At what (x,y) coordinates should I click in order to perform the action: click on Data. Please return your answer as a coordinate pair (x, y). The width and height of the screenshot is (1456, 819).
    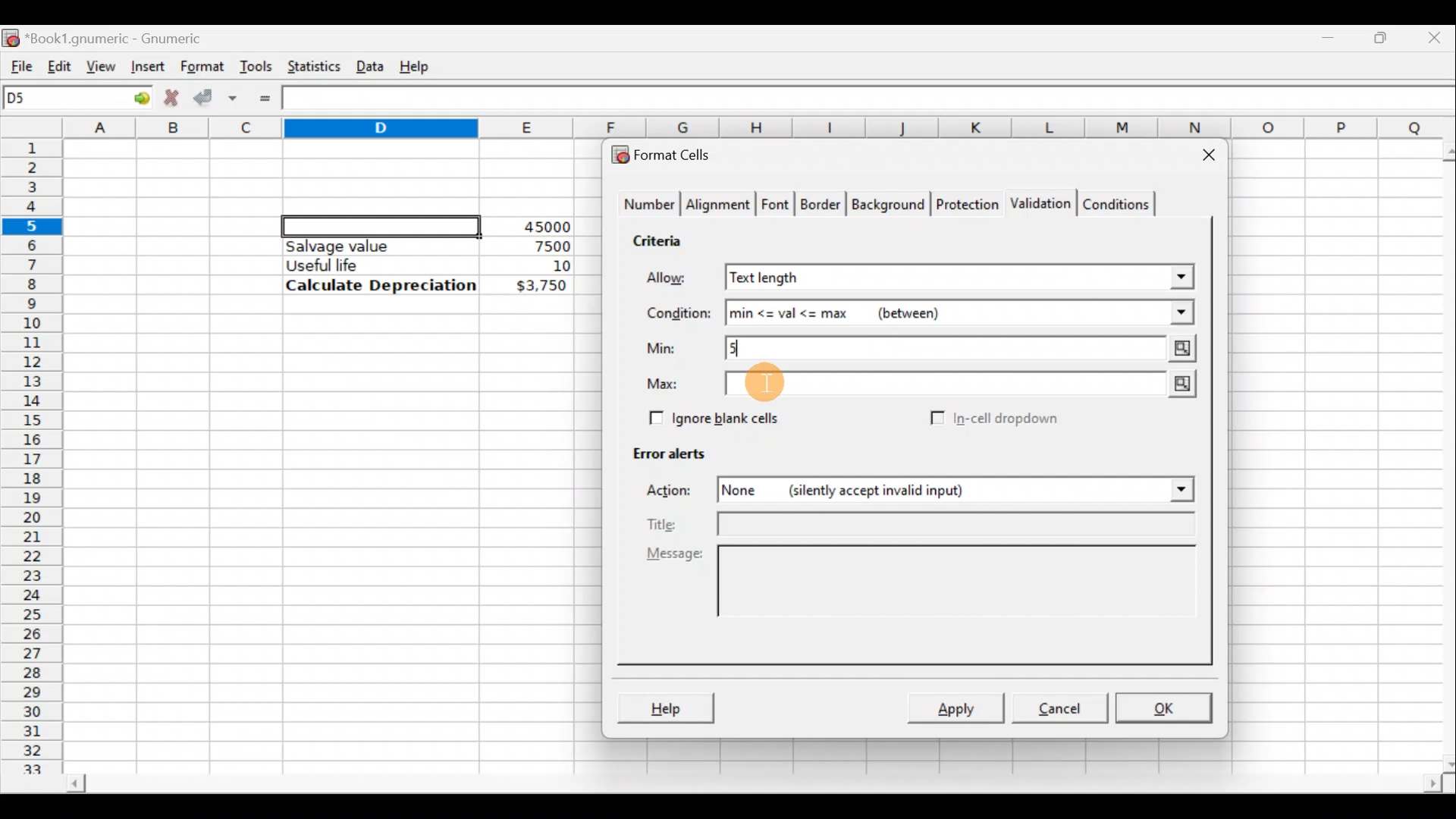
    Looking at the image, I should click on (369, 63).